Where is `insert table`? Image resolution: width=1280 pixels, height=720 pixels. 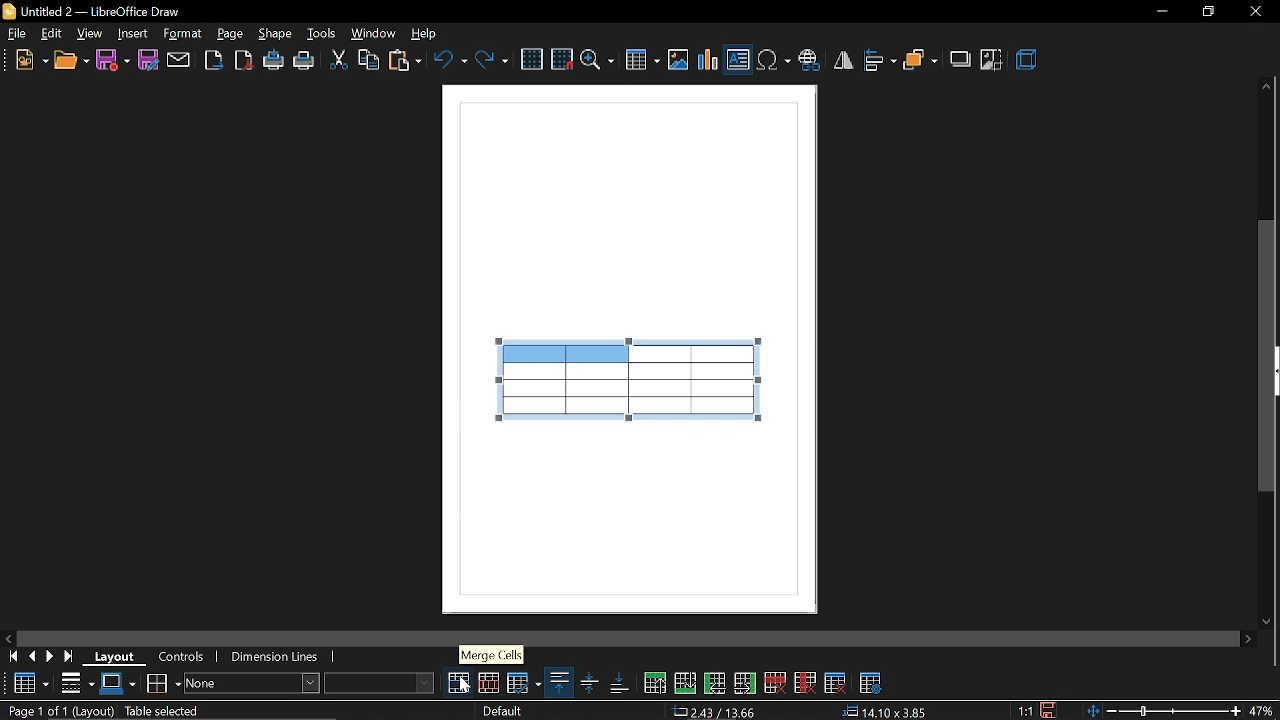
insert table is located at coordinates (642, 59).